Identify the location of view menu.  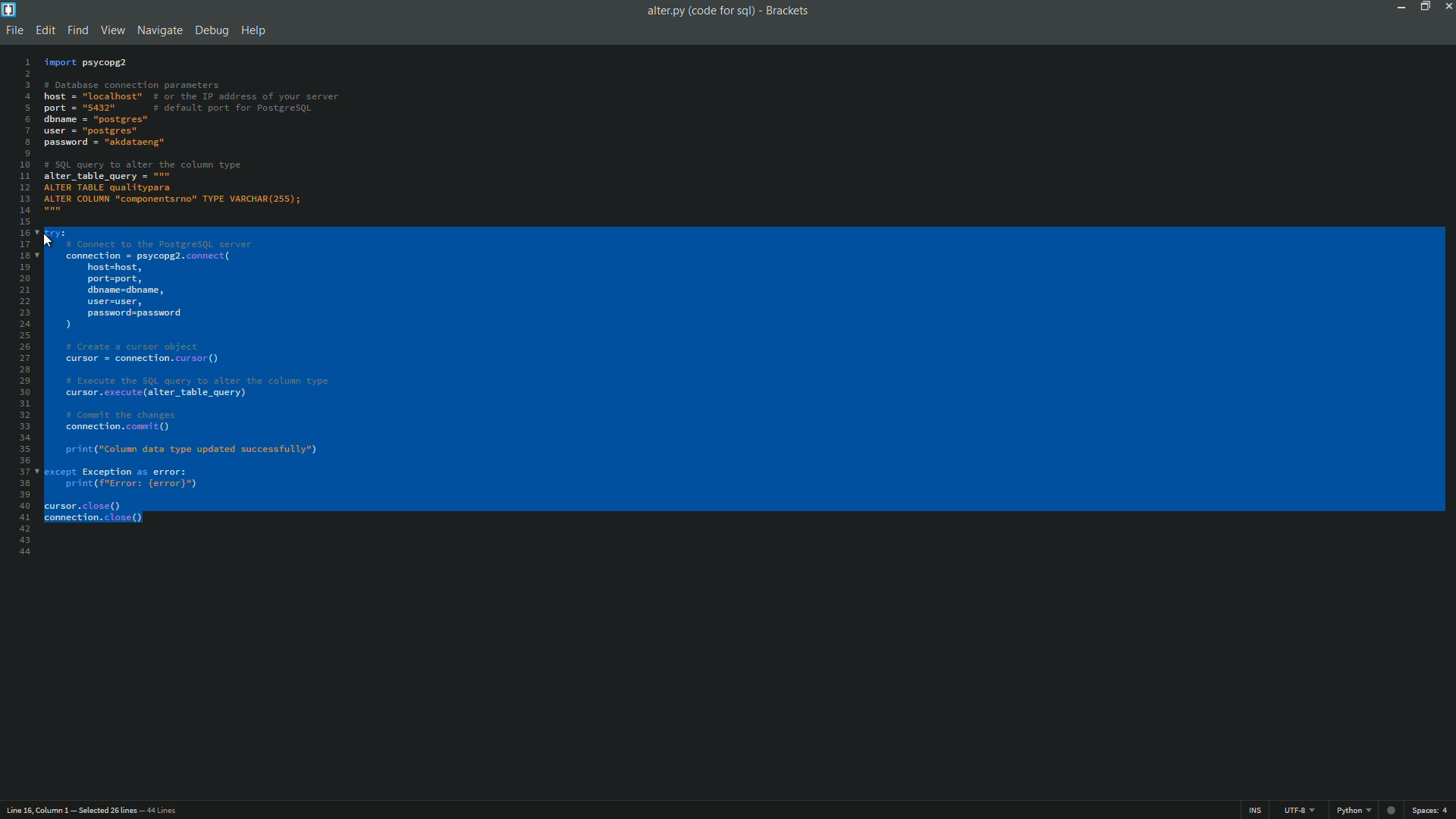
(115, 30).